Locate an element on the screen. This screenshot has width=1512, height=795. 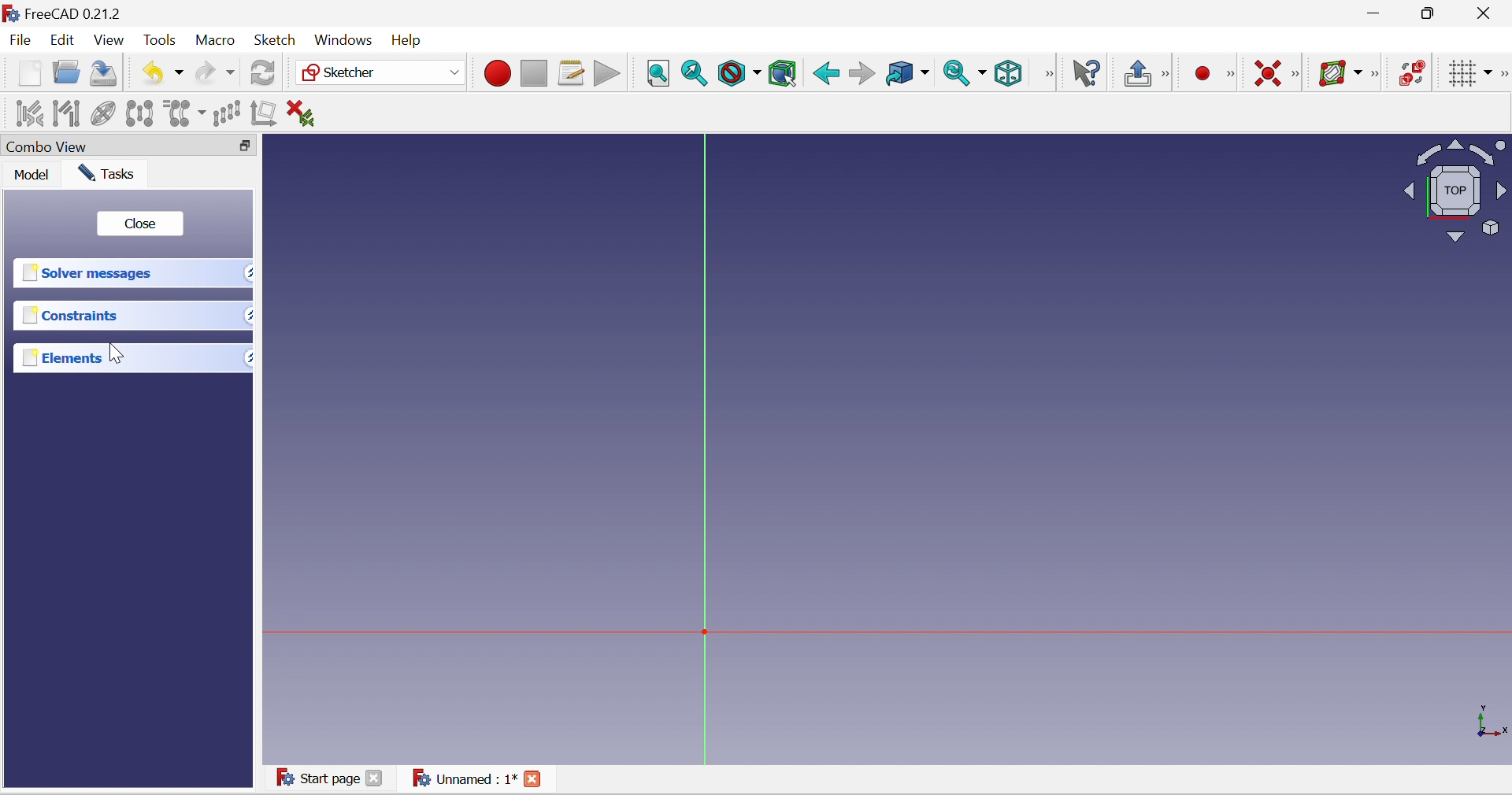
Macro recording is located at coordinates (495, 72).